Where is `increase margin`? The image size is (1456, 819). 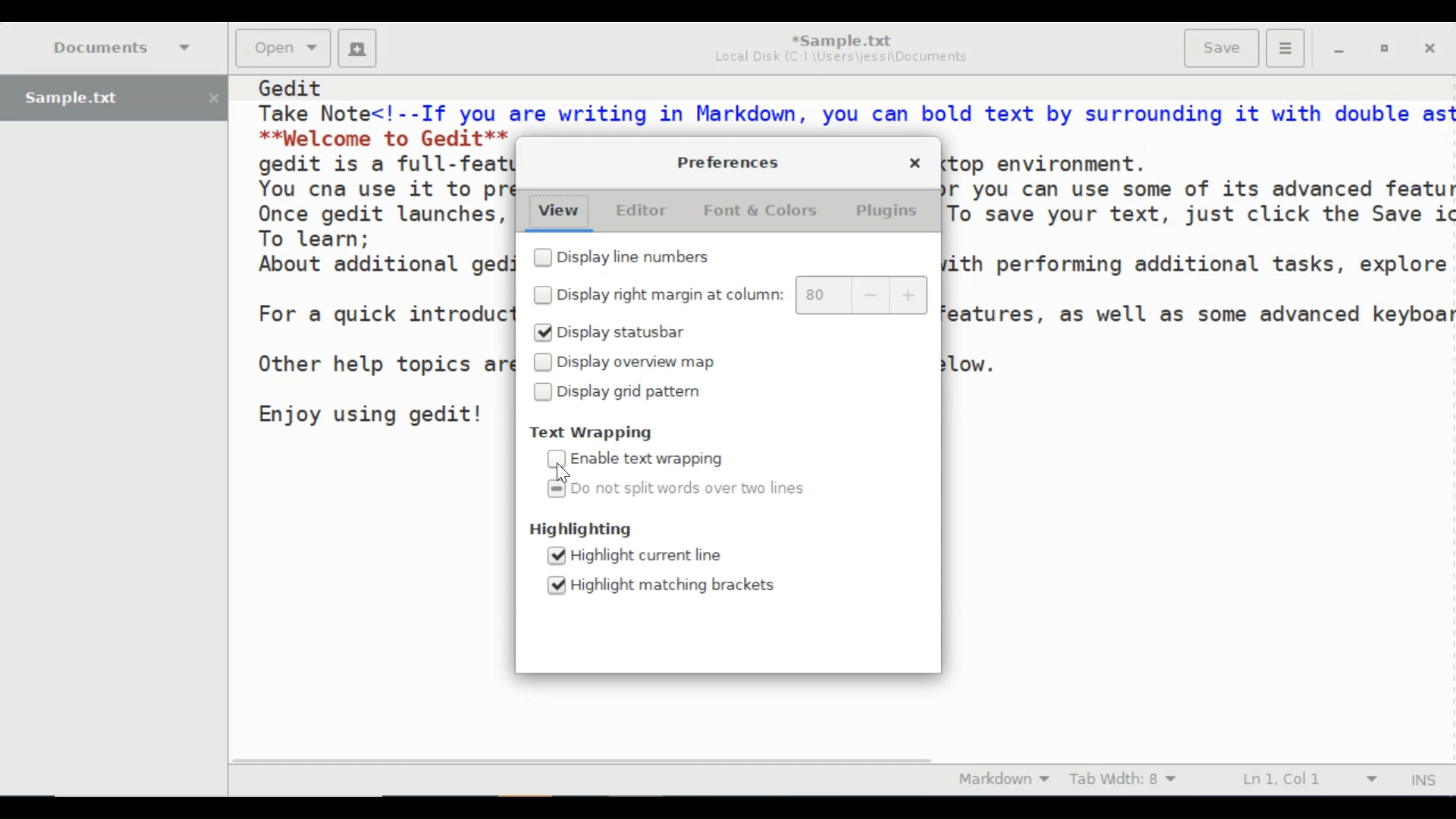 increase margin is located at coordinates (911, 294).